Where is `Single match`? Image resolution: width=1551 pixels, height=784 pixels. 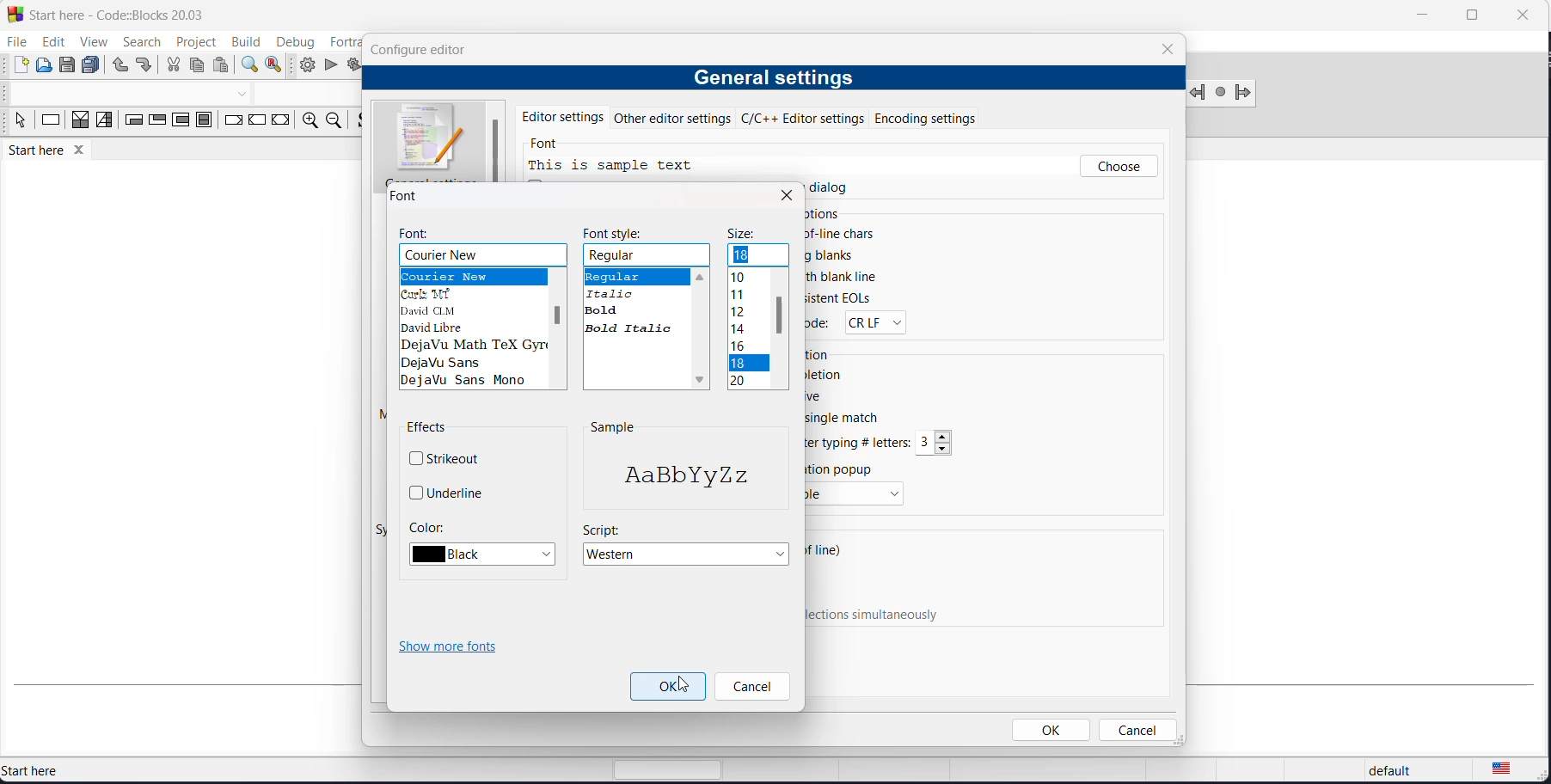
Single match is located at coordinates (856, 420).